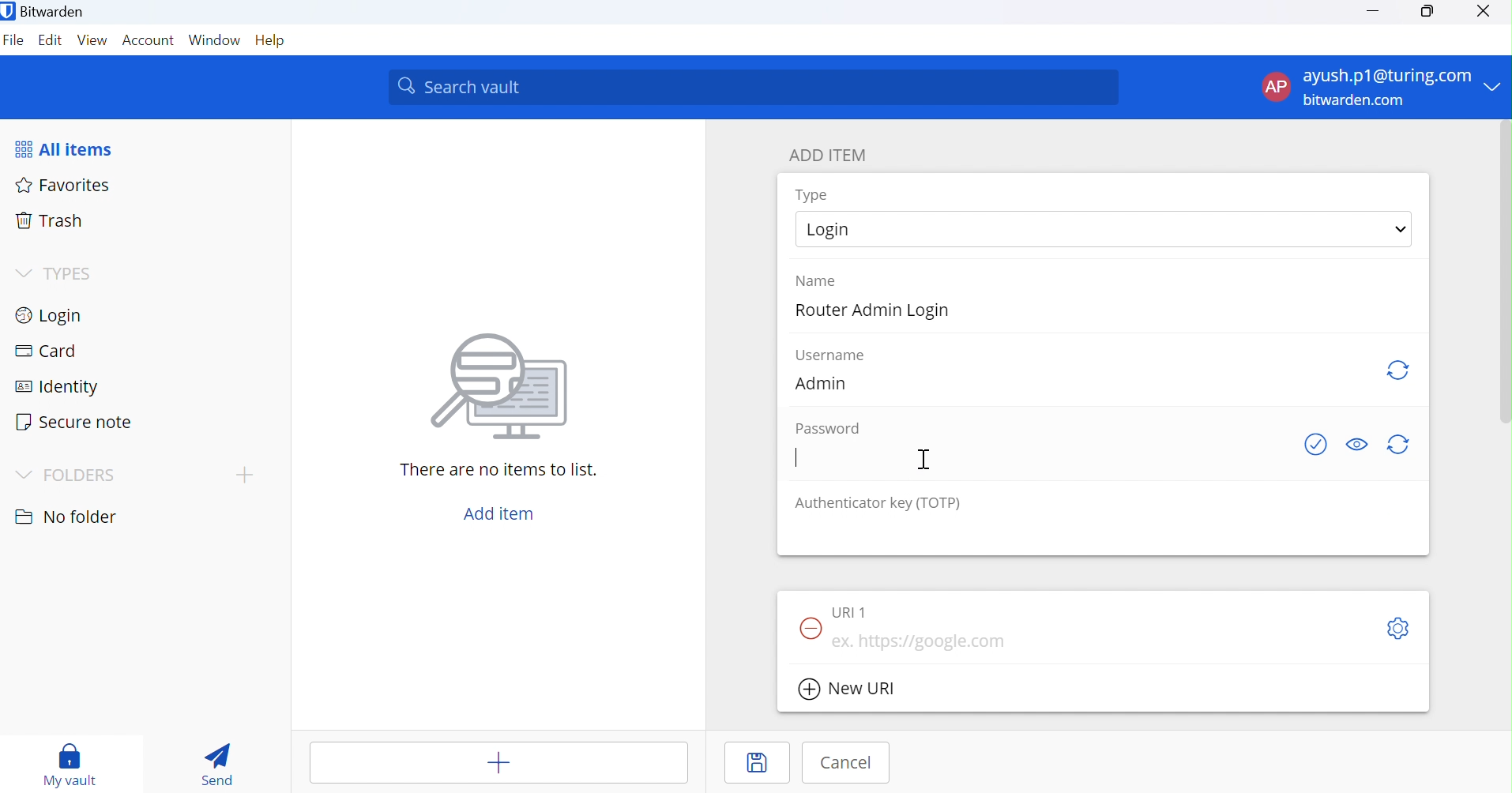  I want to click on S, so click(1397, 630).